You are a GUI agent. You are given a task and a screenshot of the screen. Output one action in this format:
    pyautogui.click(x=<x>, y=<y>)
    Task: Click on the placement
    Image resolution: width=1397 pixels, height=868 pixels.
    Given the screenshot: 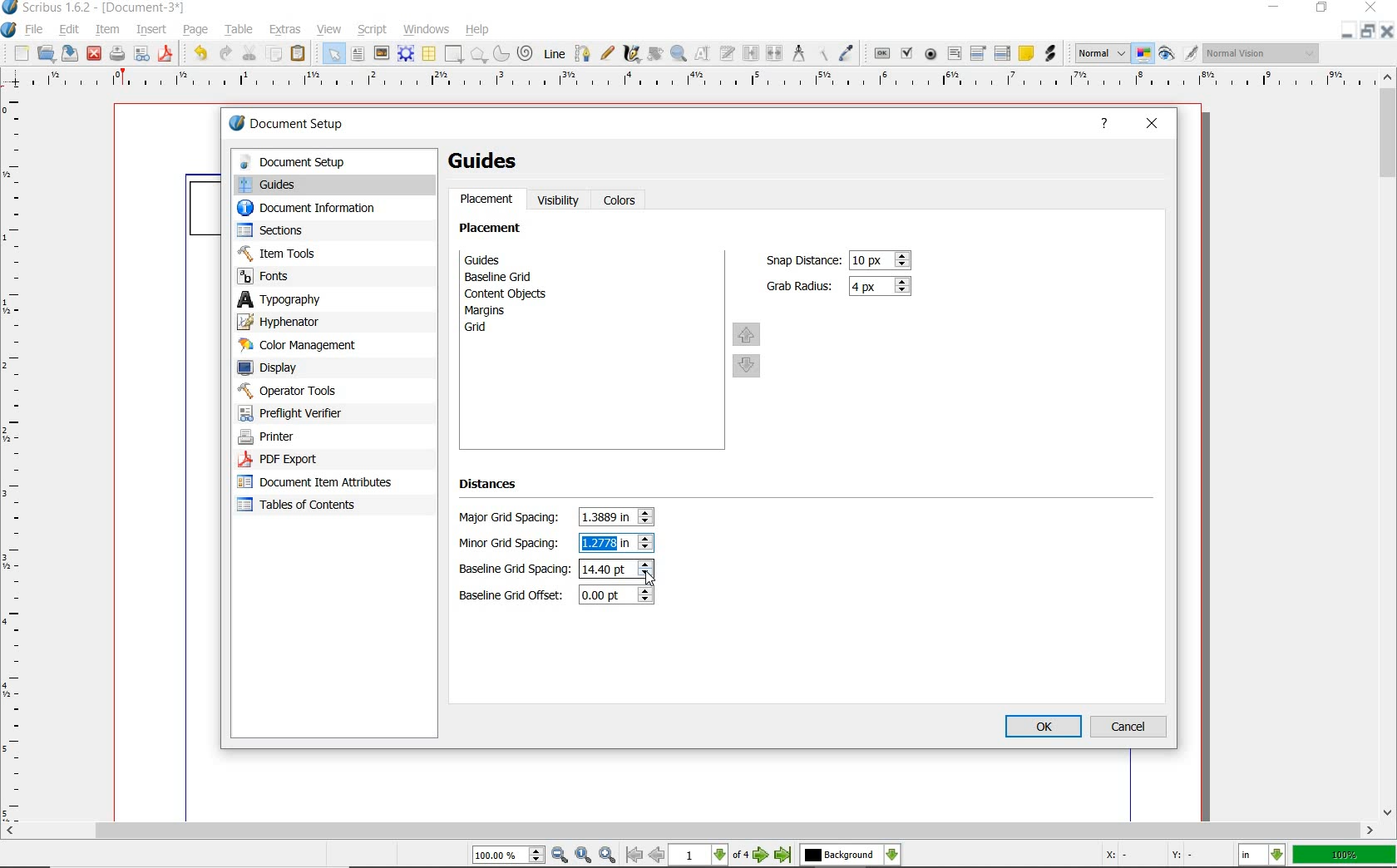 What is the action you would take?
    pyautogui.click(x=495, y=230)
    